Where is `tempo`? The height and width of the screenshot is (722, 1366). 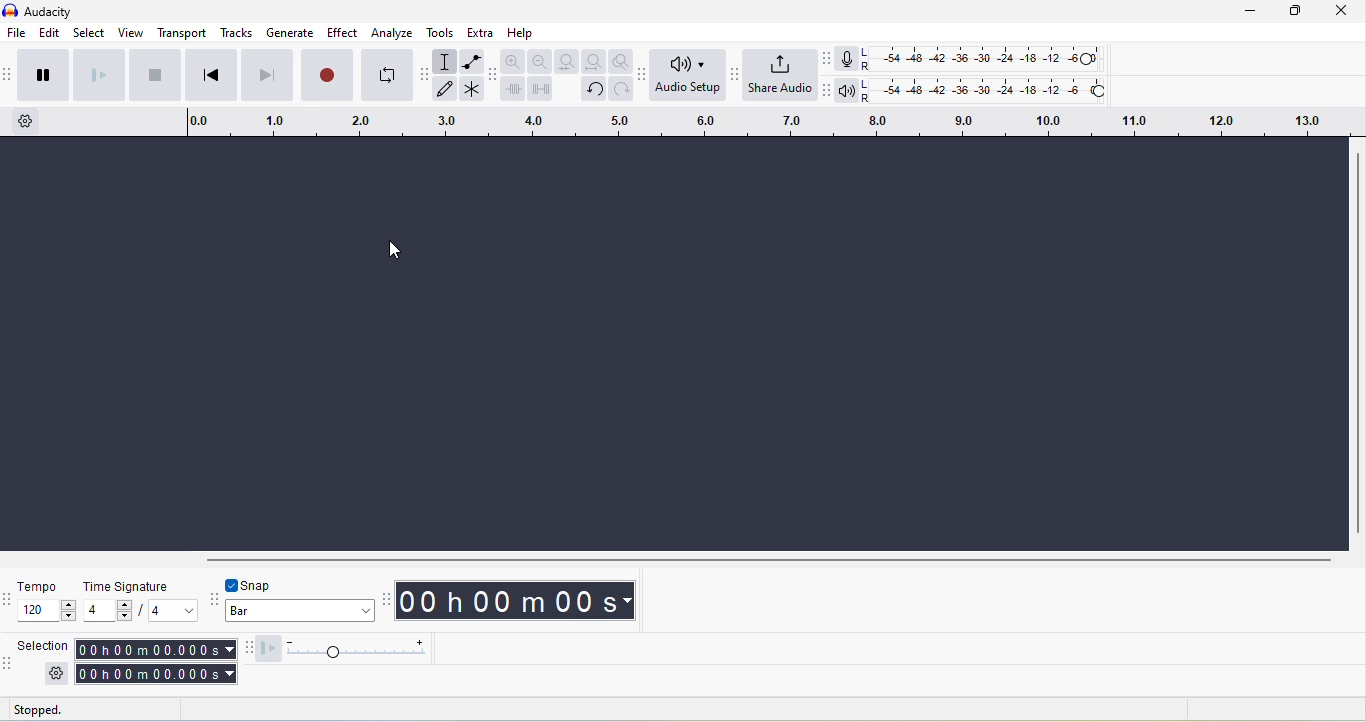
tempo is located at coordinates (49, 603).